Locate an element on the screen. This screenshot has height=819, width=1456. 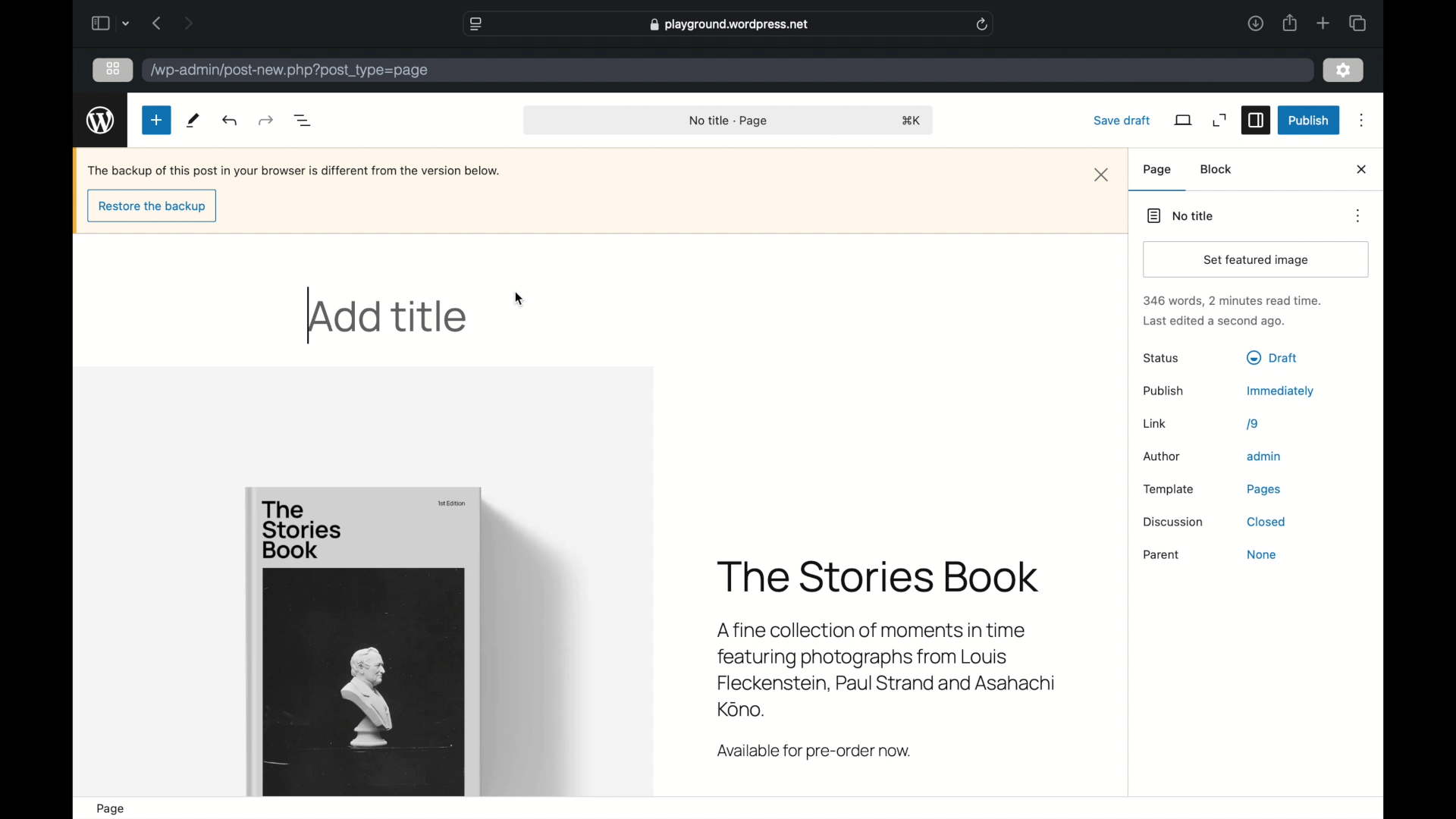
parent is located at coordinates (1163, 555).